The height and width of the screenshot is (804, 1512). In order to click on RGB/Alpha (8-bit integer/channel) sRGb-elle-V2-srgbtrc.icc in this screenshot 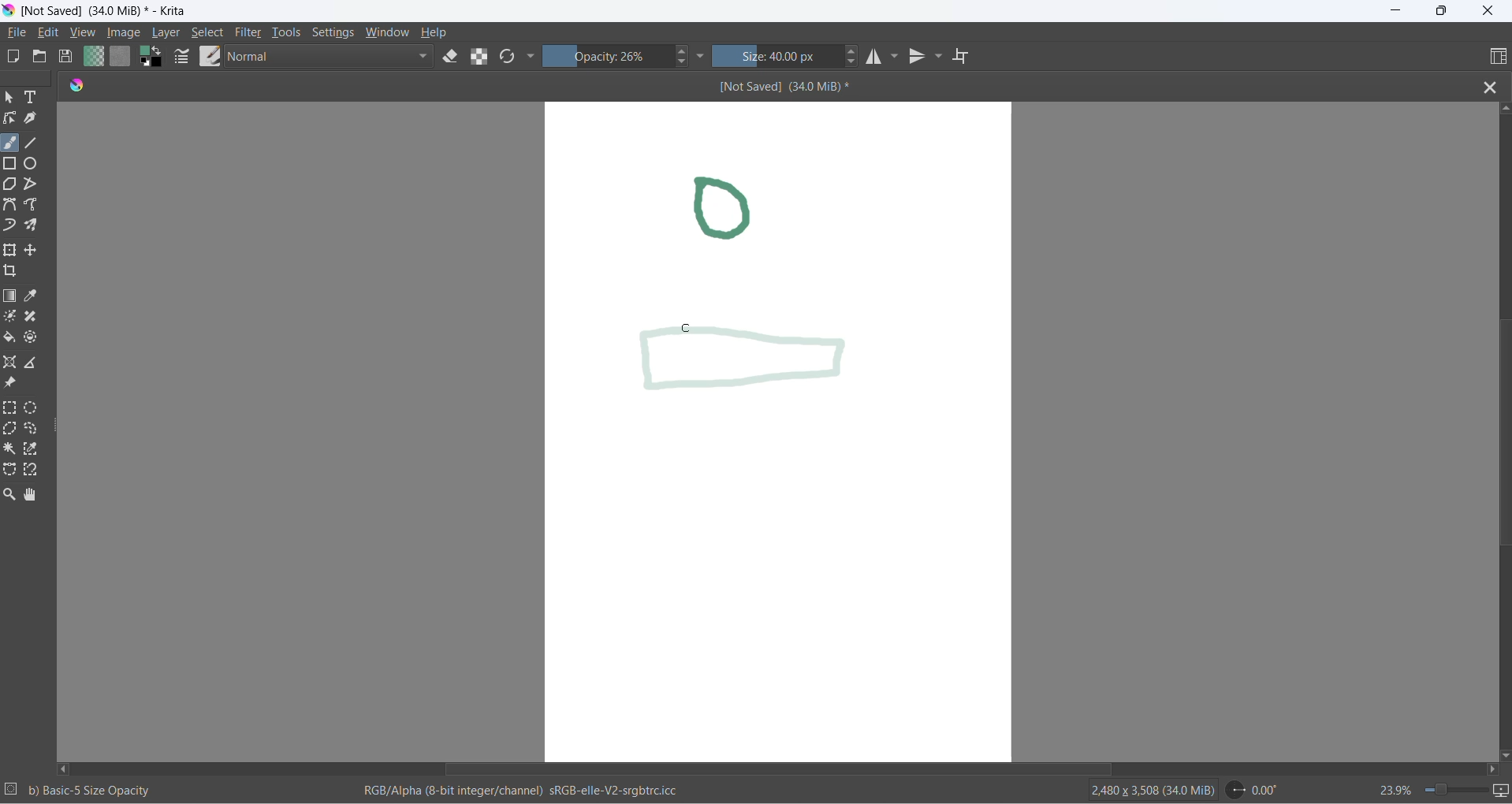, I will do `click(524, 792)`.